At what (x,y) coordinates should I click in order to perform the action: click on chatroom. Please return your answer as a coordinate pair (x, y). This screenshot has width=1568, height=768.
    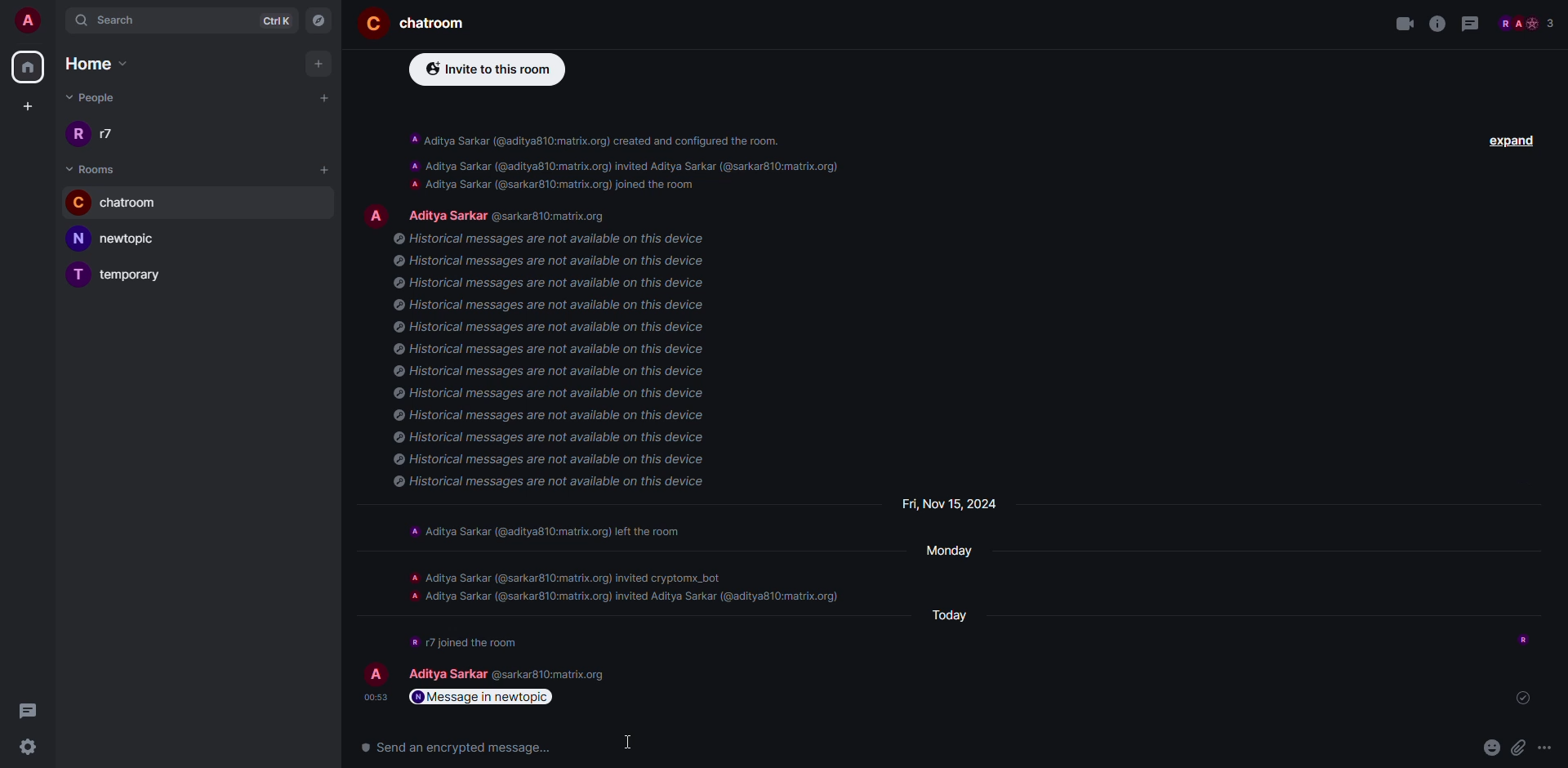
    Looking at the image, I should click on (123, 201).